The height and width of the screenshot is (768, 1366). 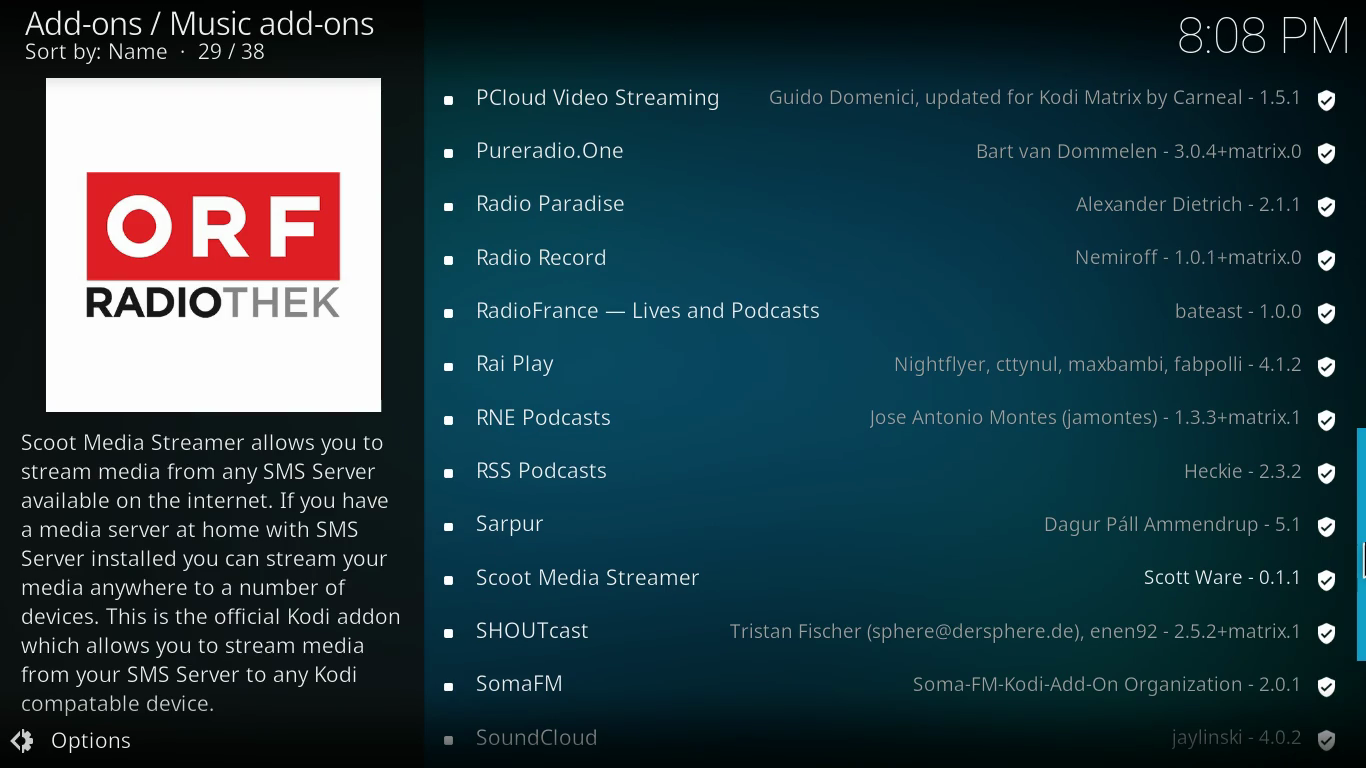 What do you see at coordinates (1229, 580) in the screenshot?
I see `provider` at bounding box center [1229, 580].